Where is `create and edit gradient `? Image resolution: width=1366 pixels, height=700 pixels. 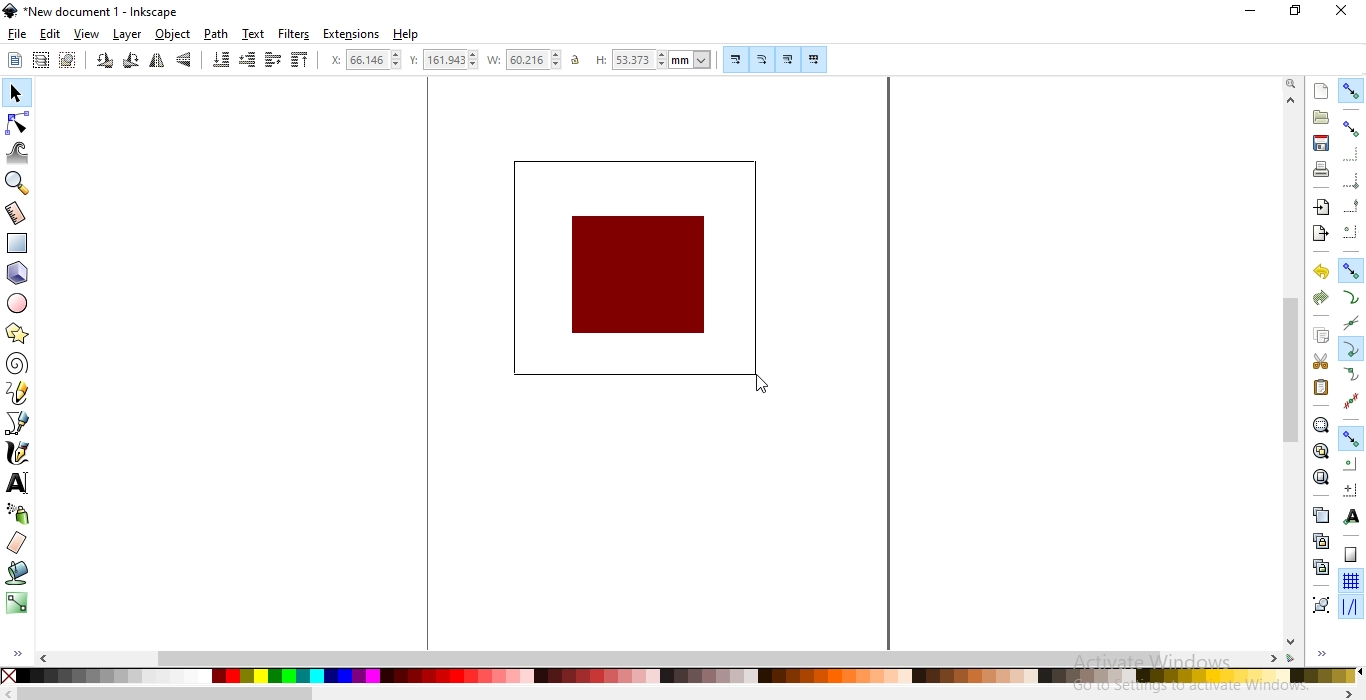
create and edit gradient  is located at coordinates (17, 607).